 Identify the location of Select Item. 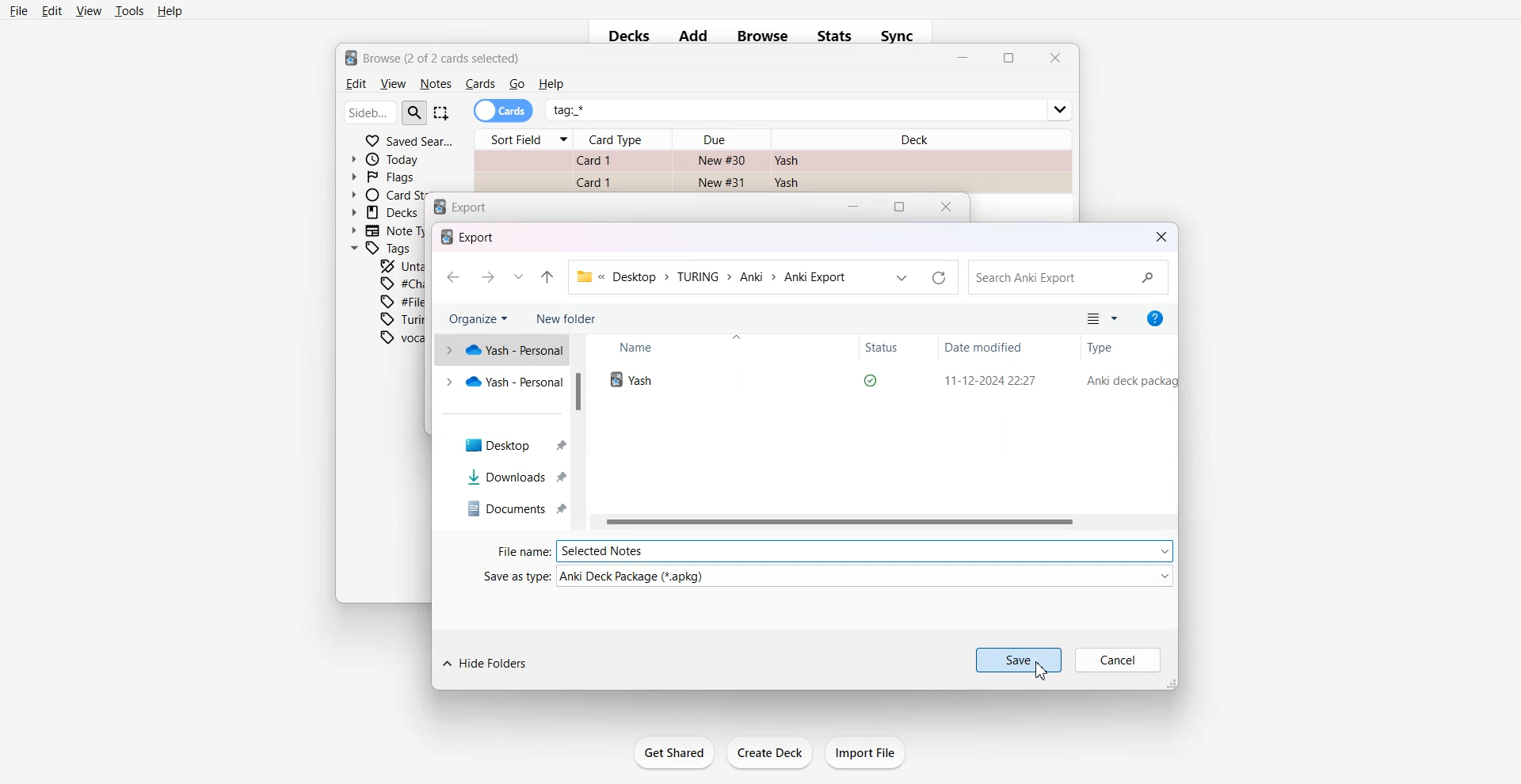
(443, 112).